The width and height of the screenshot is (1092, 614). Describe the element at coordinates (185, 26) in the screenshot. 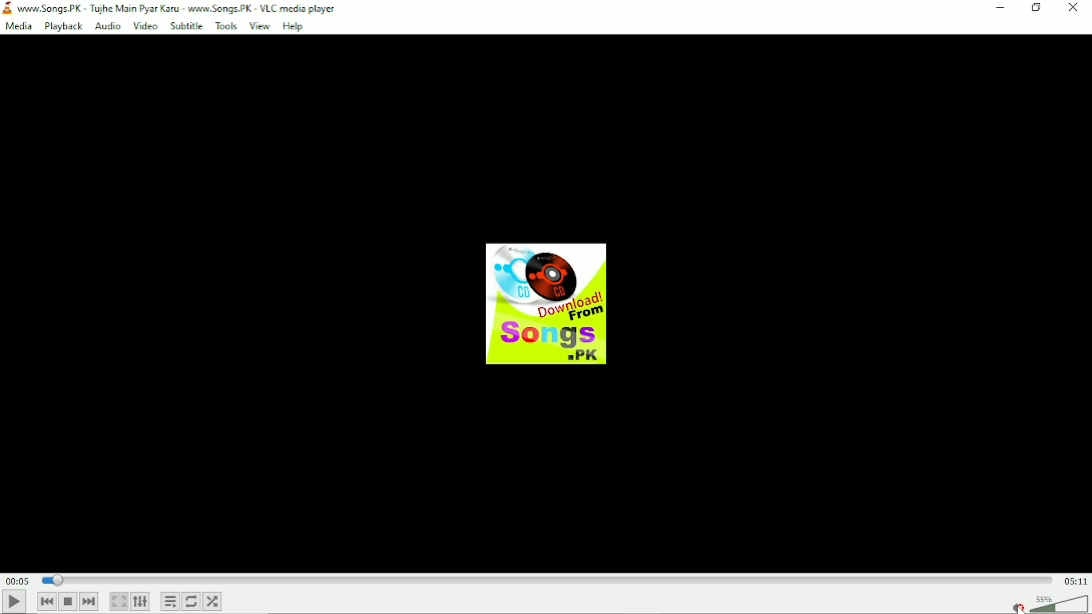

I see `Subtitle` at that location.